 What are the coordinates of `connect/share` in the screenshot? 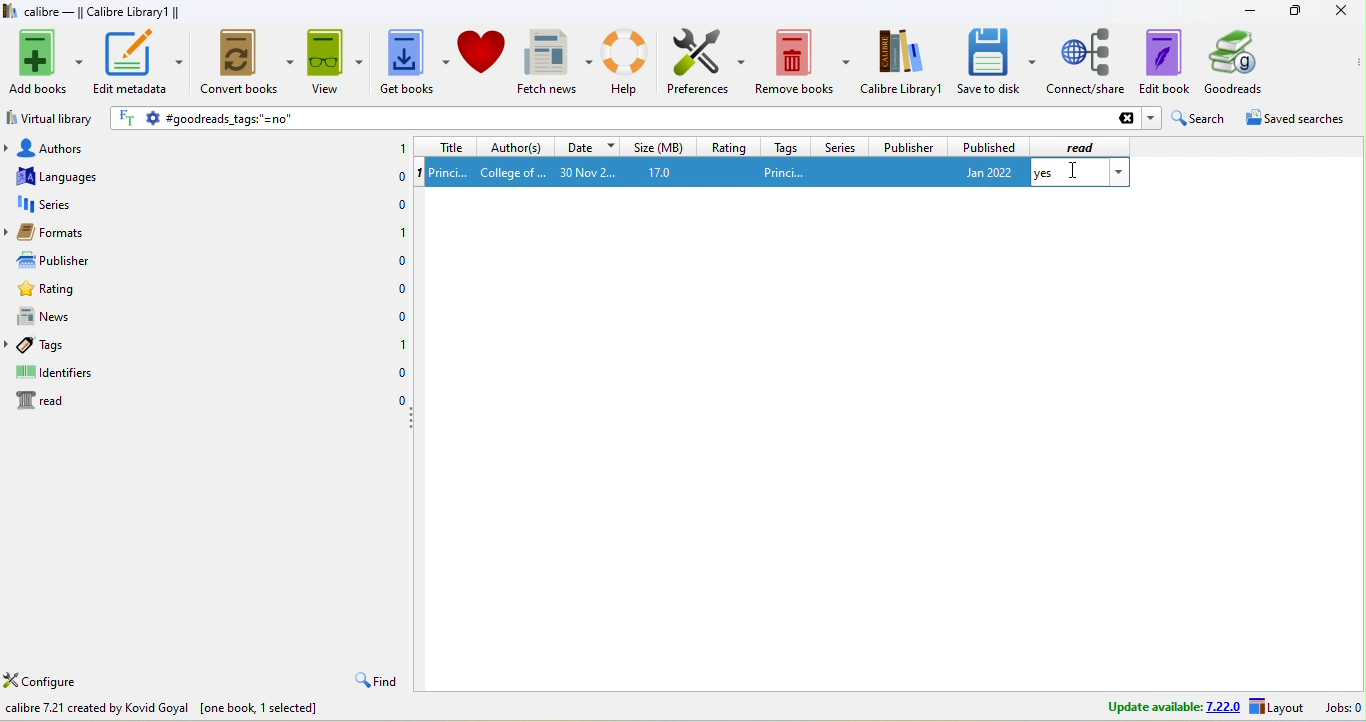 It's located at (1087, 62).